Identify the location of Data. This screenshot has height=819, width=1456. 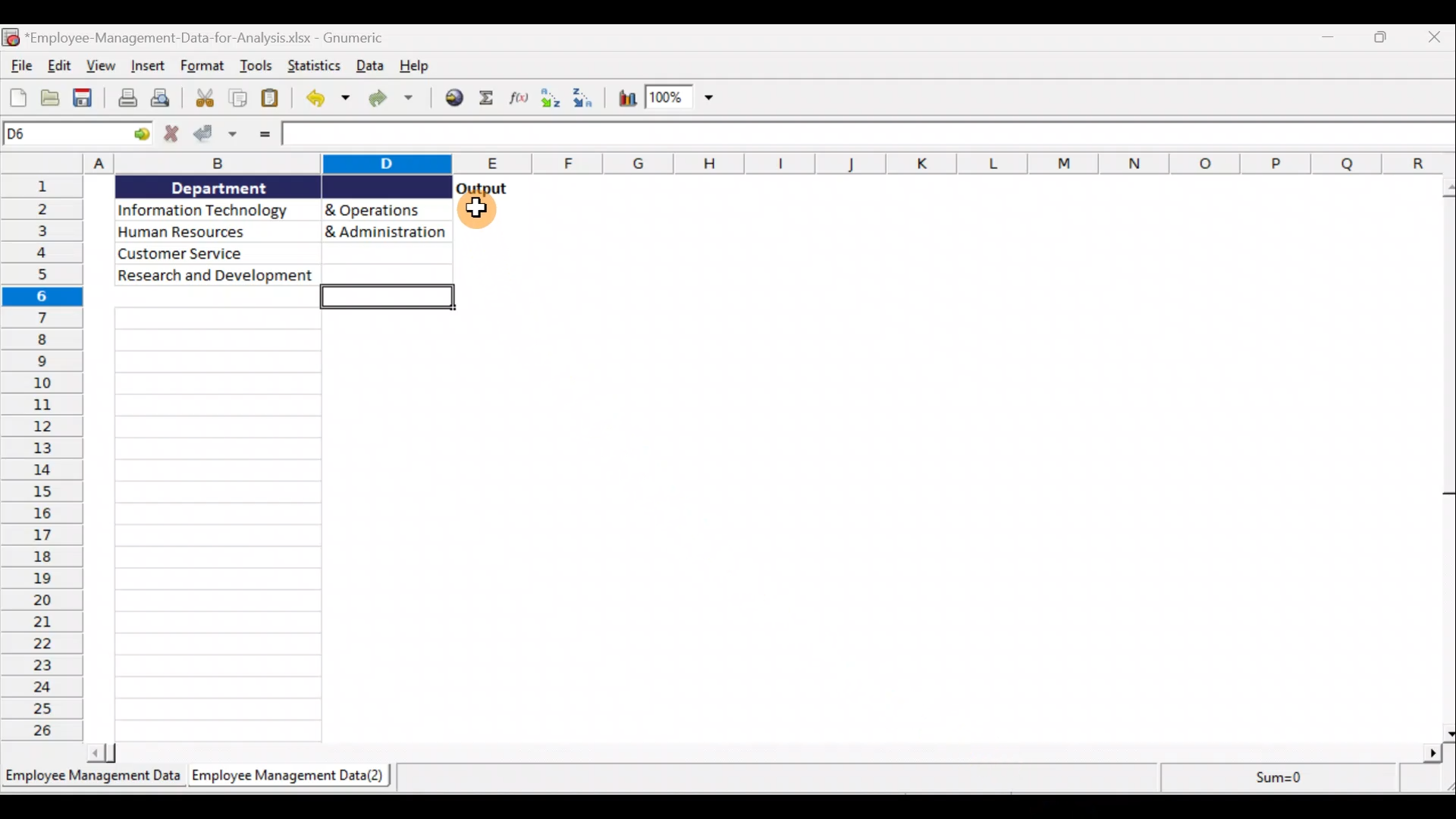
(370, 67).